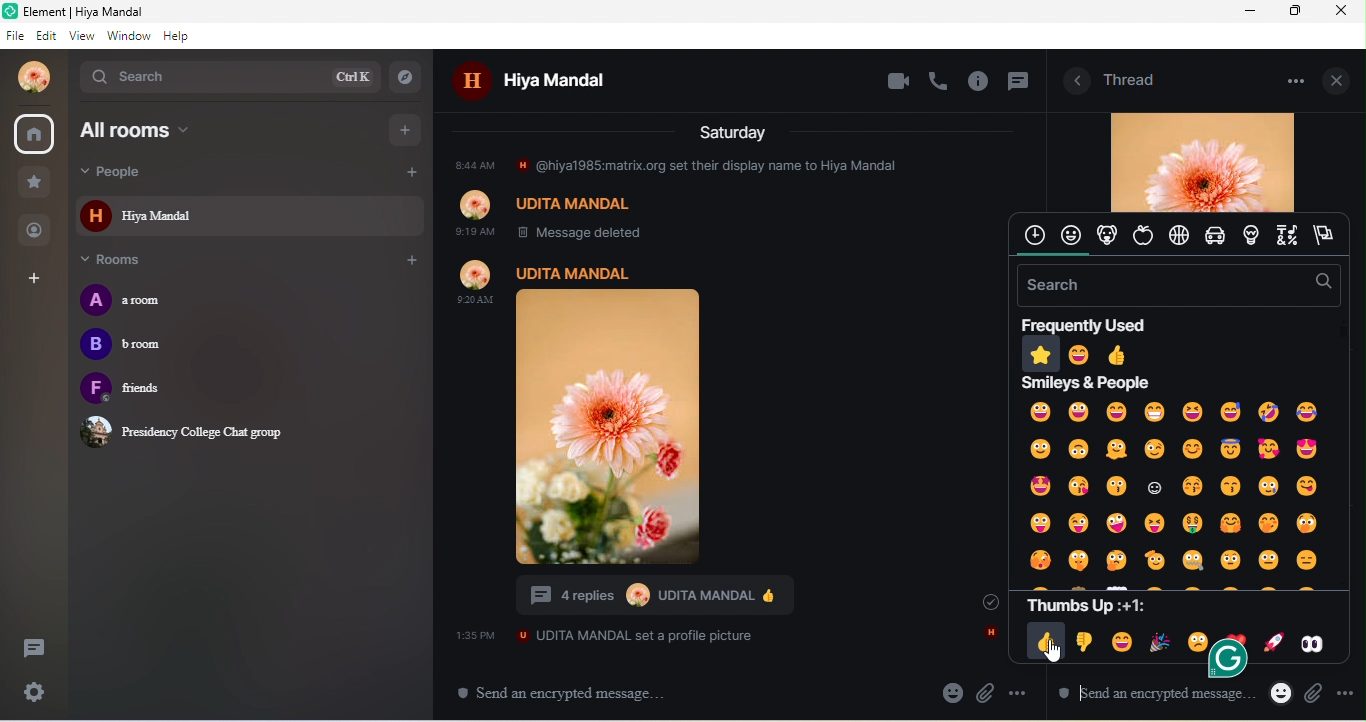  I want to click on attachment, so click(1314, 696).